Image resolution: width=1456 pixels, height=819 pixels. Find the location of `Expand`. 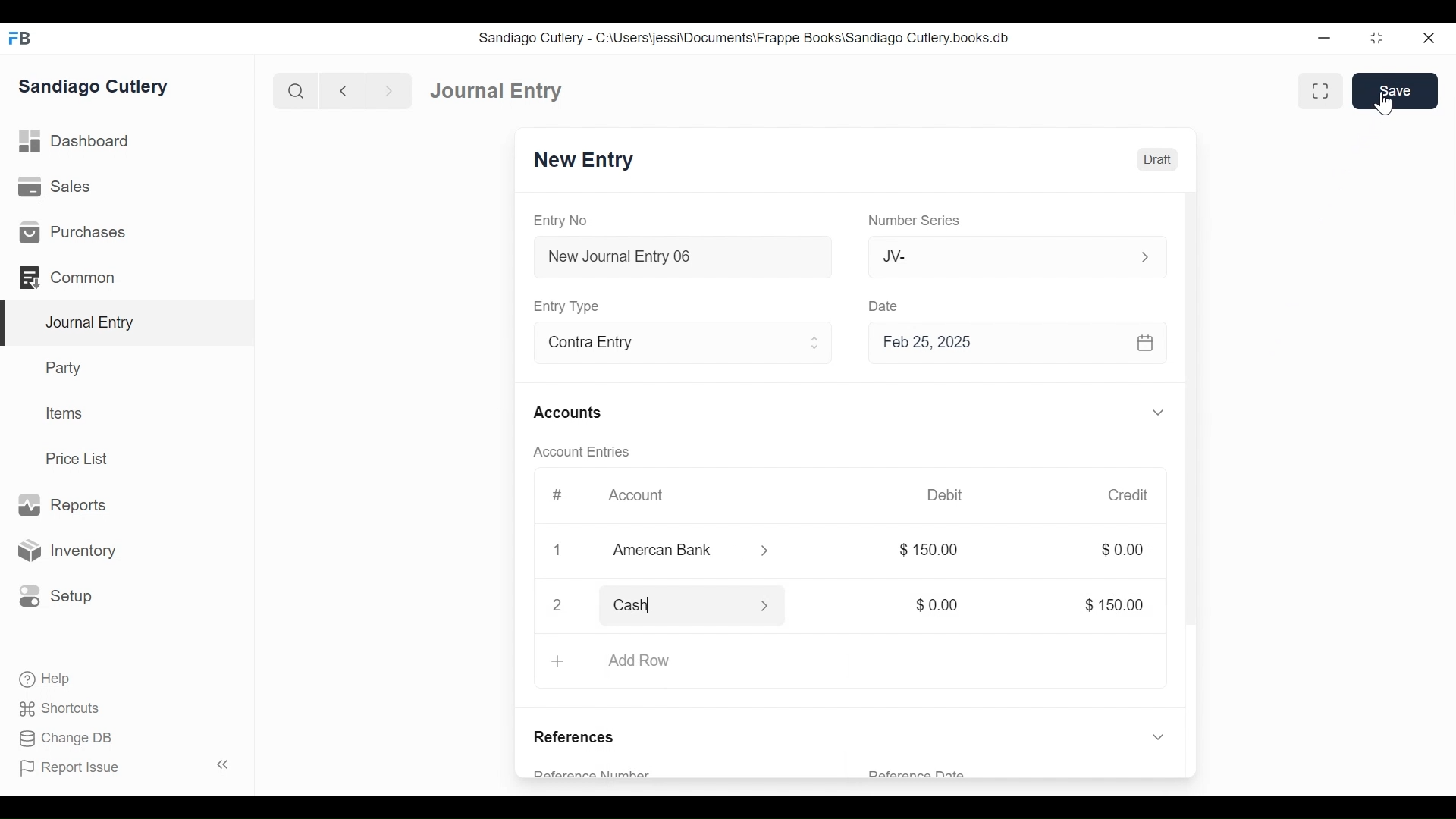

Expand is located at coordinates (773, 608).